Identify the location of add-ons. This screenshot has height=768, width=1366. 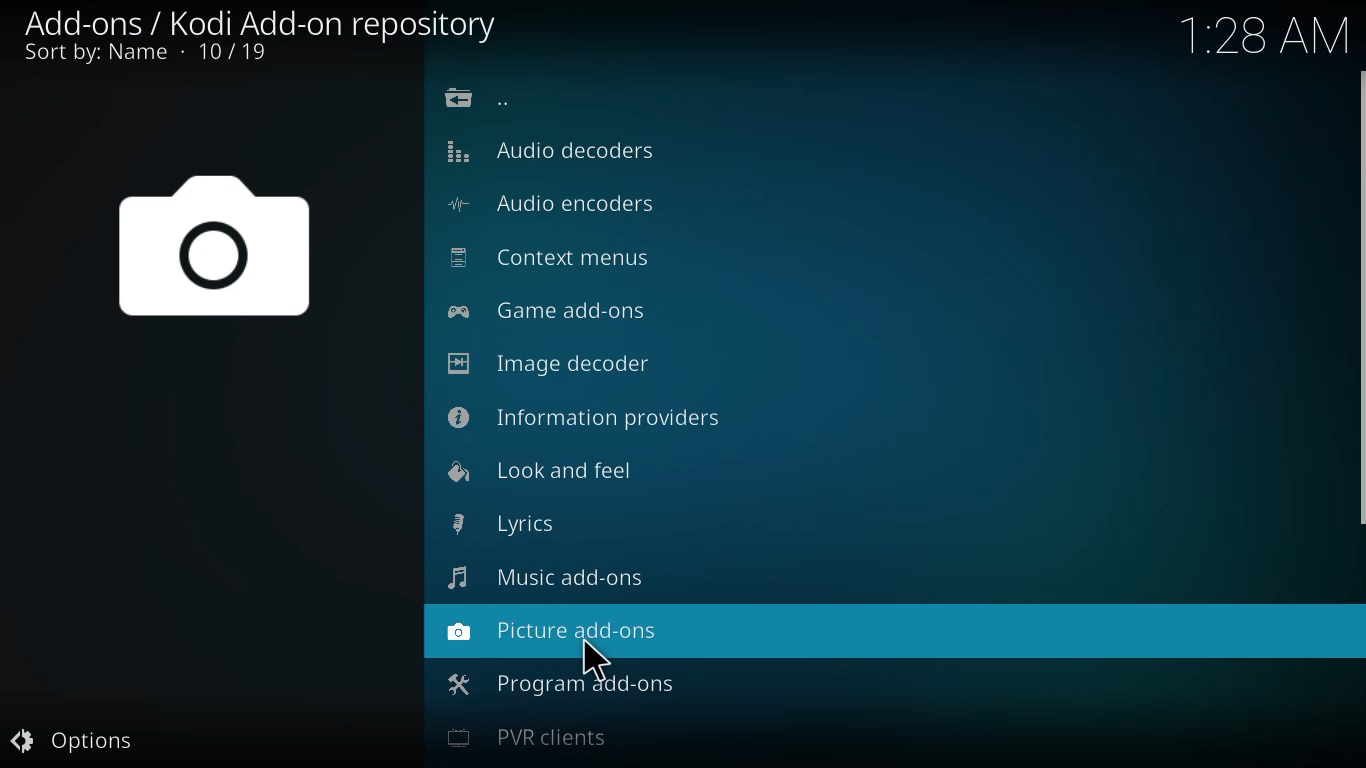
(250, 20).